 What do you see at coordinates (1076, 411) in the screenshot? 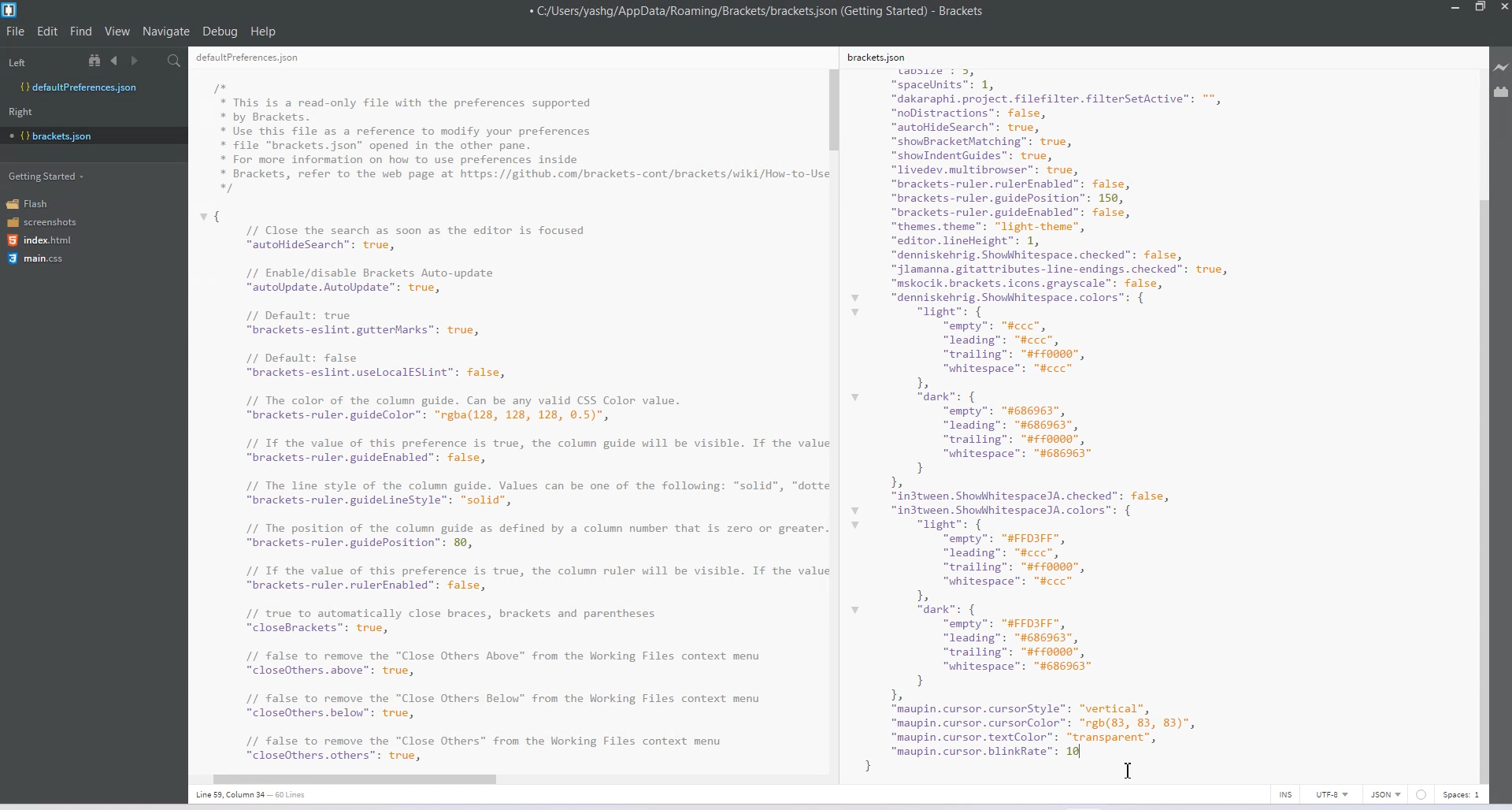
I see `kets. son
size : 3,
“spacelnits": 1,
“dakaraphi.project. filefilter. filterSetActive”: "*,
“noDistractions”: false,
“autohideSearch”: true,
“showBracketMatching”: true,
“showIndentGuides”: true,
“livedev.multibrowser”: true,
“brackets-ruler.rulerEnabled": false,
“brackets-ruler.guidePosition”: 150,
“brackets-ruler.guideEnabled": false,
“themes theme": "light-theme",
“editor. lineHeight": 1,
“denniskehrig. Showhhitespace. checked": false,
“jlamanna.gitattributes-line-endings. checked": true,
“mskocik.brackets.icons.grayscale": false,
“denniskehrig. Showhitespace. colors”: {
“light”: {
“empty”: "#ccc”,
“leading”: "#ccc”,
“trailing”: "#0000",
“whitespace”: "#ccc”
b
“dark”: {
“empty”: "#686963",
["leading”: "#686963",
“trailing”: "#0000",
“whitespace”: "#686963"
}
Ia
“in3tween. ShowhhitespaceJA. checked": false,
“in3tween. ShowhhitespaceJA. colors”: {
“light”: {
“empty”: "#FFDIFF",
“leading”: "#ccc”,
“trailing”: "#0000",
“whitespace”: "#ccc”
bh
“dark”: {
“empty”: "#FFDIFF",
“leading”: "#686963",
“trailing”: "#0000",
“whitespace”: "#686963"
}
b
“maupin. cursor. cursorStyle”: “vertical”,
“maupin. cursor. cursorColor™: "rgh(83, 83, 83)",
“maupin.cursor.textColor”: “transparent”,
“maupin. cursor. blinkRate": 1000 |
:` at bounding box center [1076, 411].